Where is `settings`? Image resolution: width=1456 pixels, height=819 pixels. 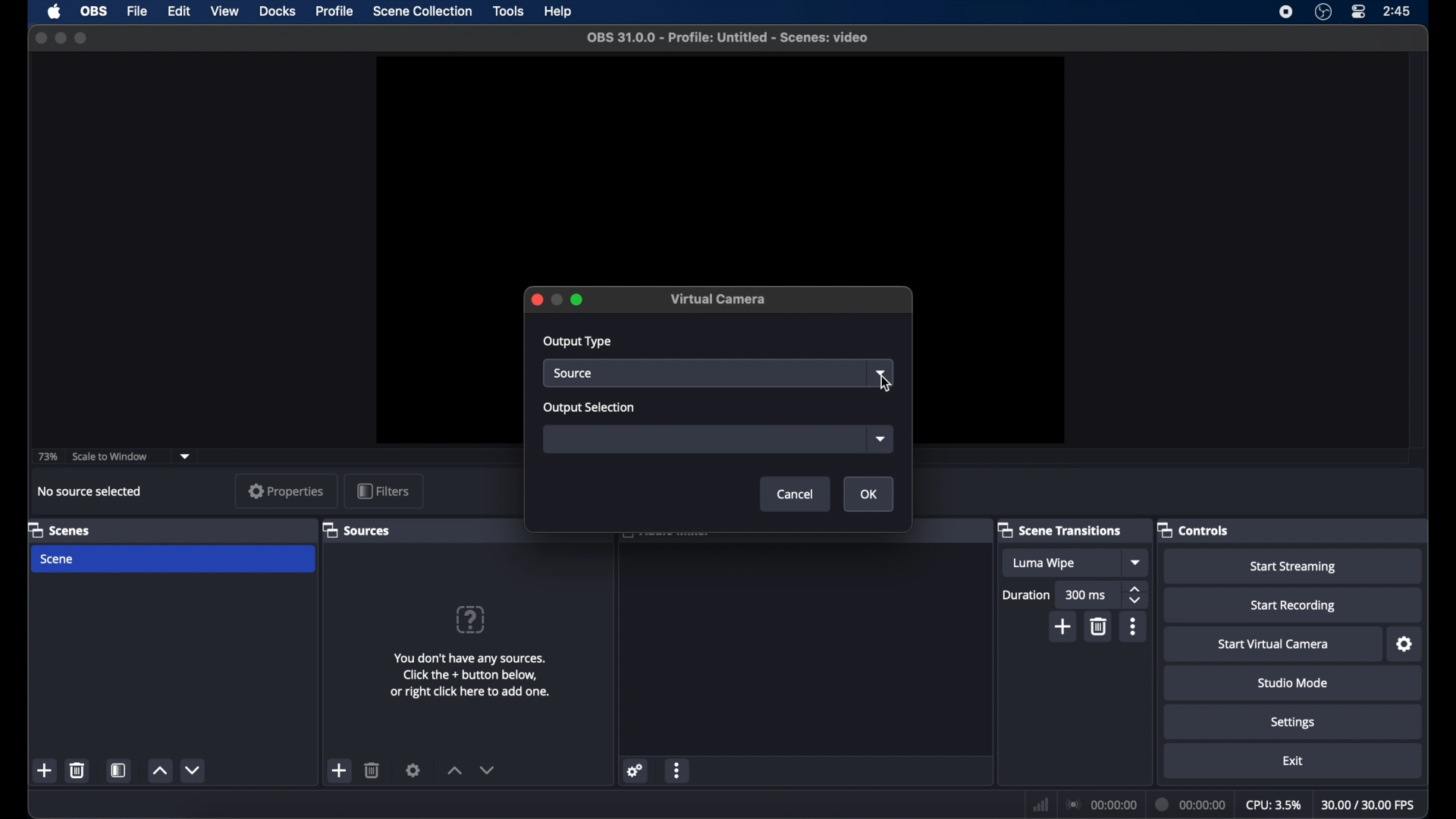 settings is located at coordinates (1403, 645).